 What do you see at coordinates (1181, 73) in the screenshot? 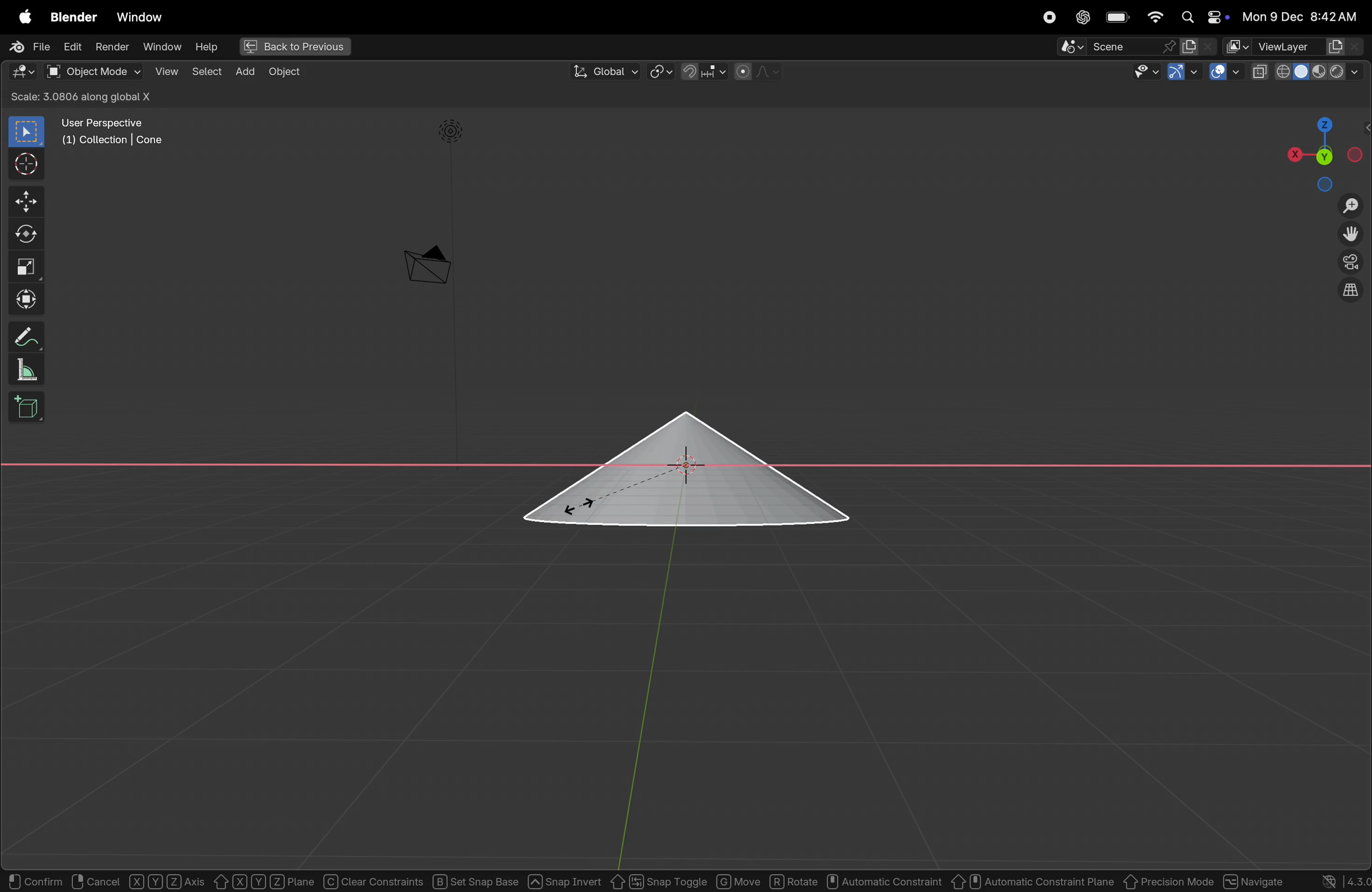
I see `show gimzo` at bounding box center [1181, 73].